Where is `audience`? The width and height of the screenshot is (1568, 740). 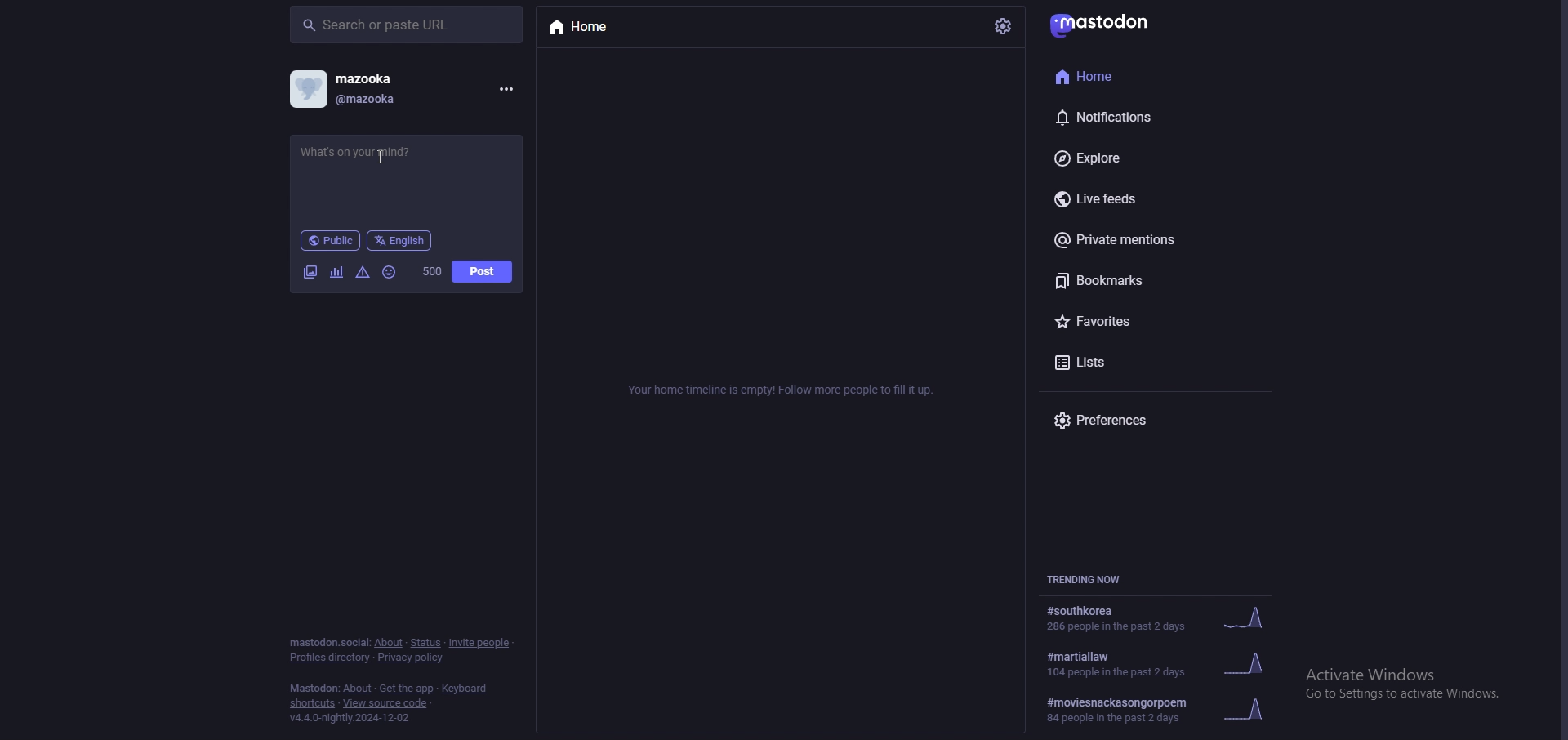 audience is located at coordinates (330, 240).